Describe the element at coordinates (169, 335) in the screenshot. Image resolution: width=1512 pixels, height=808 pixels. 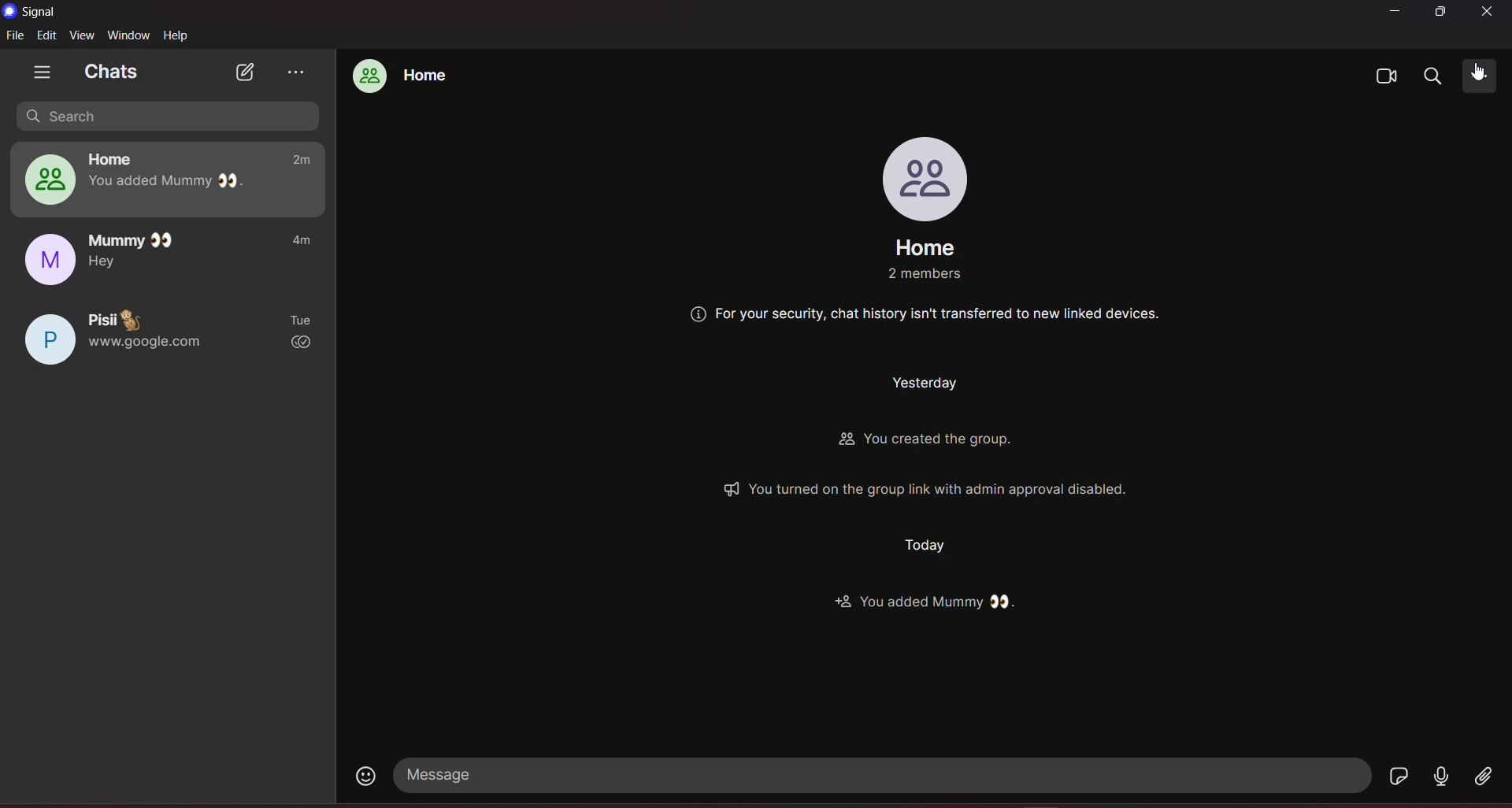
I see `pisii chat` at that location.